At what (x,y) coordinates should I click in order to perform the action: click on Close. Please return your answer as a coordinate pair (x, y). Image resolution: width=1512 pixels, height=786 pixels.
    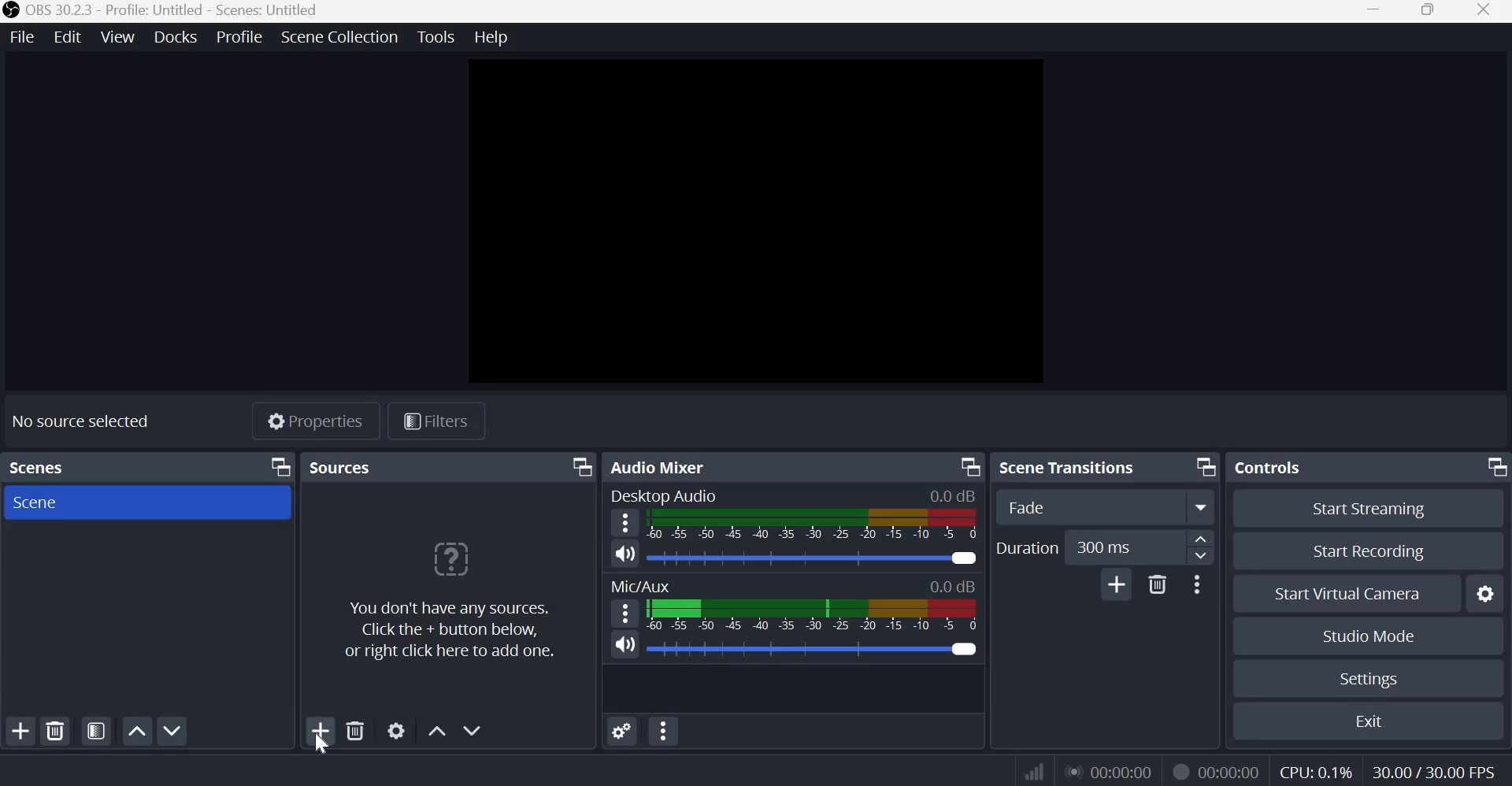
    Looking at the image, I should click on (1488, 12).